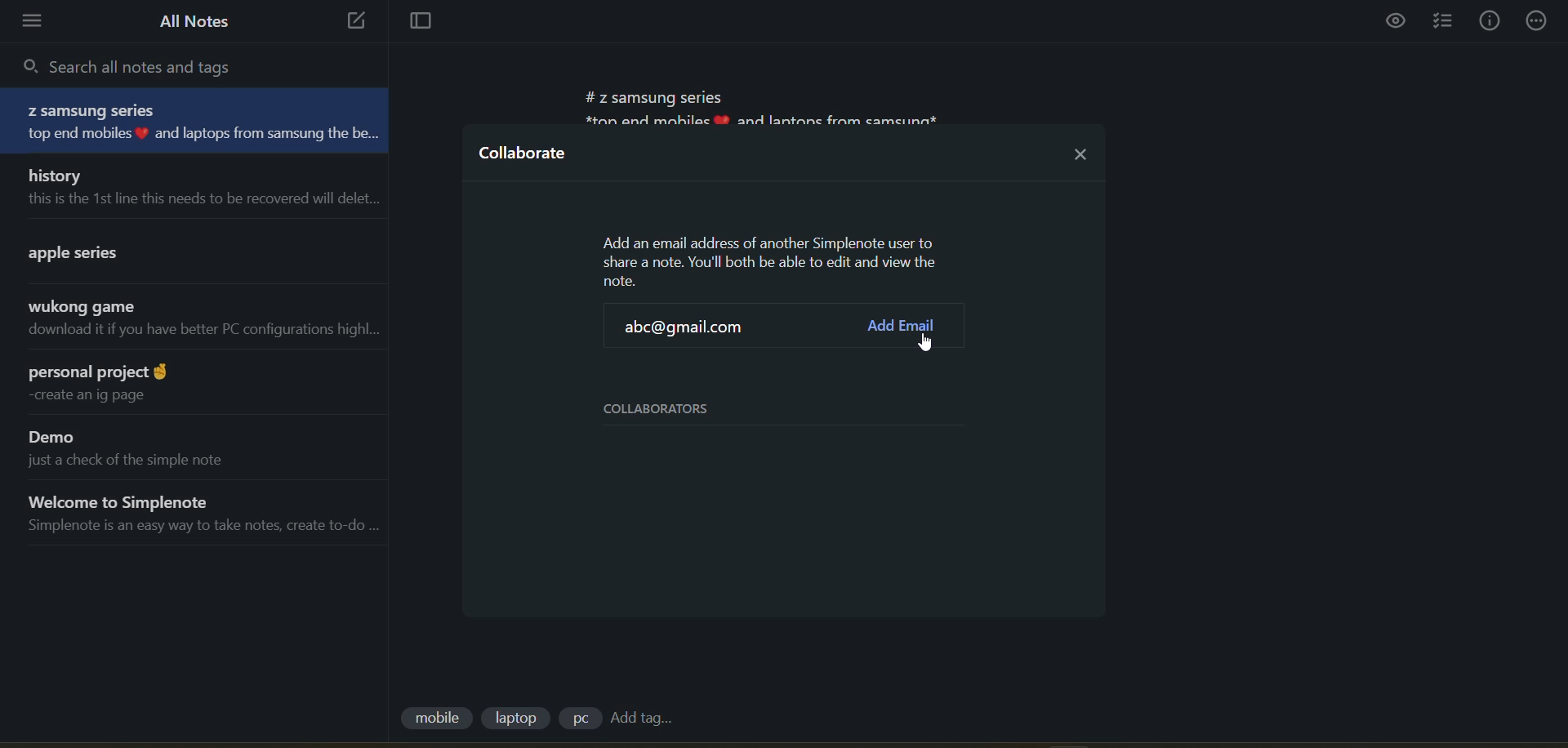 The image size is (1568, 748). What do you see at coordinates (195, 21) in the screenshot?
I see `all notes` at bounding box center [195, 21].